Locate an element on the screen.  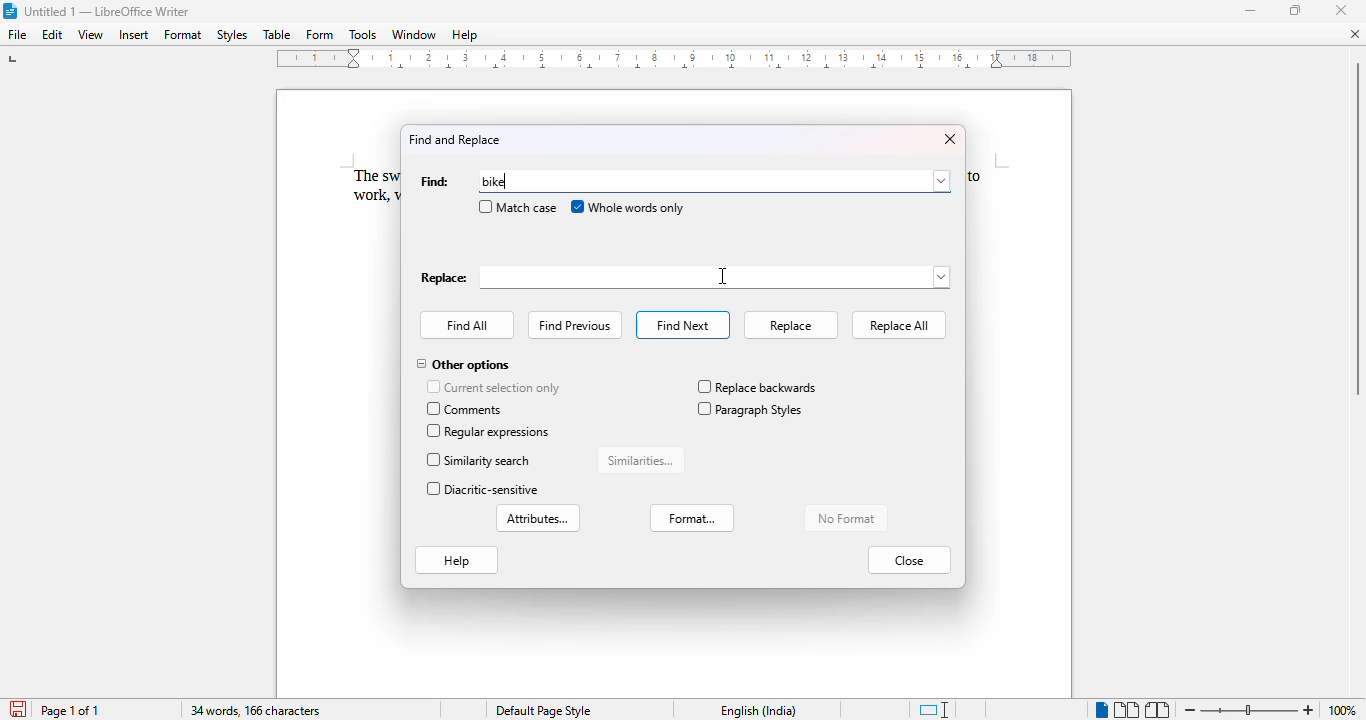
view is located at coordinates (90, 34).